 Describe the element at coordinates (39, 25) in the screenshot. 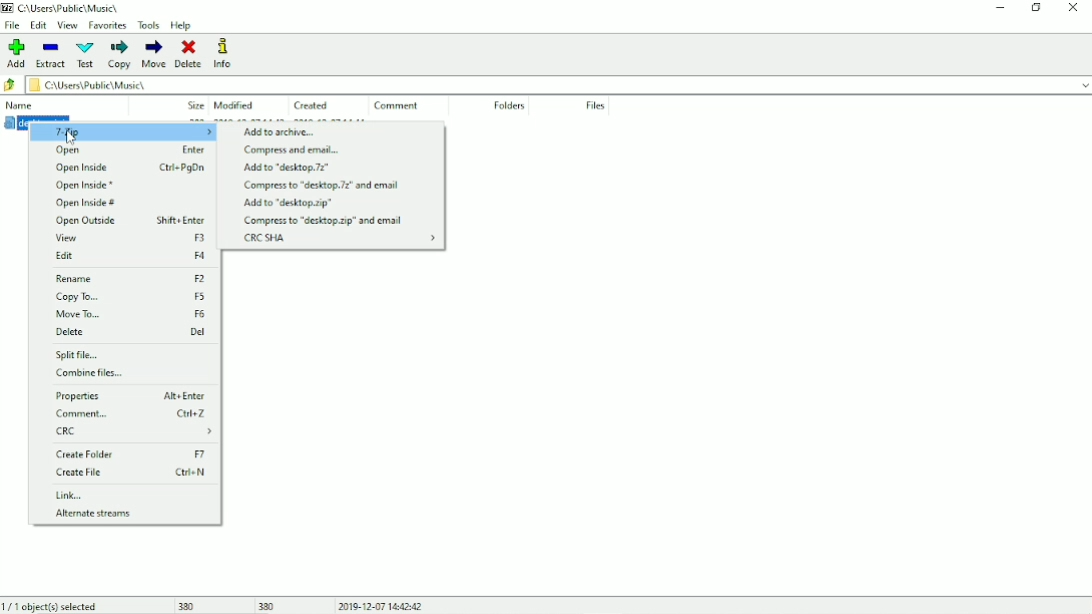

I see `Edit` at that location.